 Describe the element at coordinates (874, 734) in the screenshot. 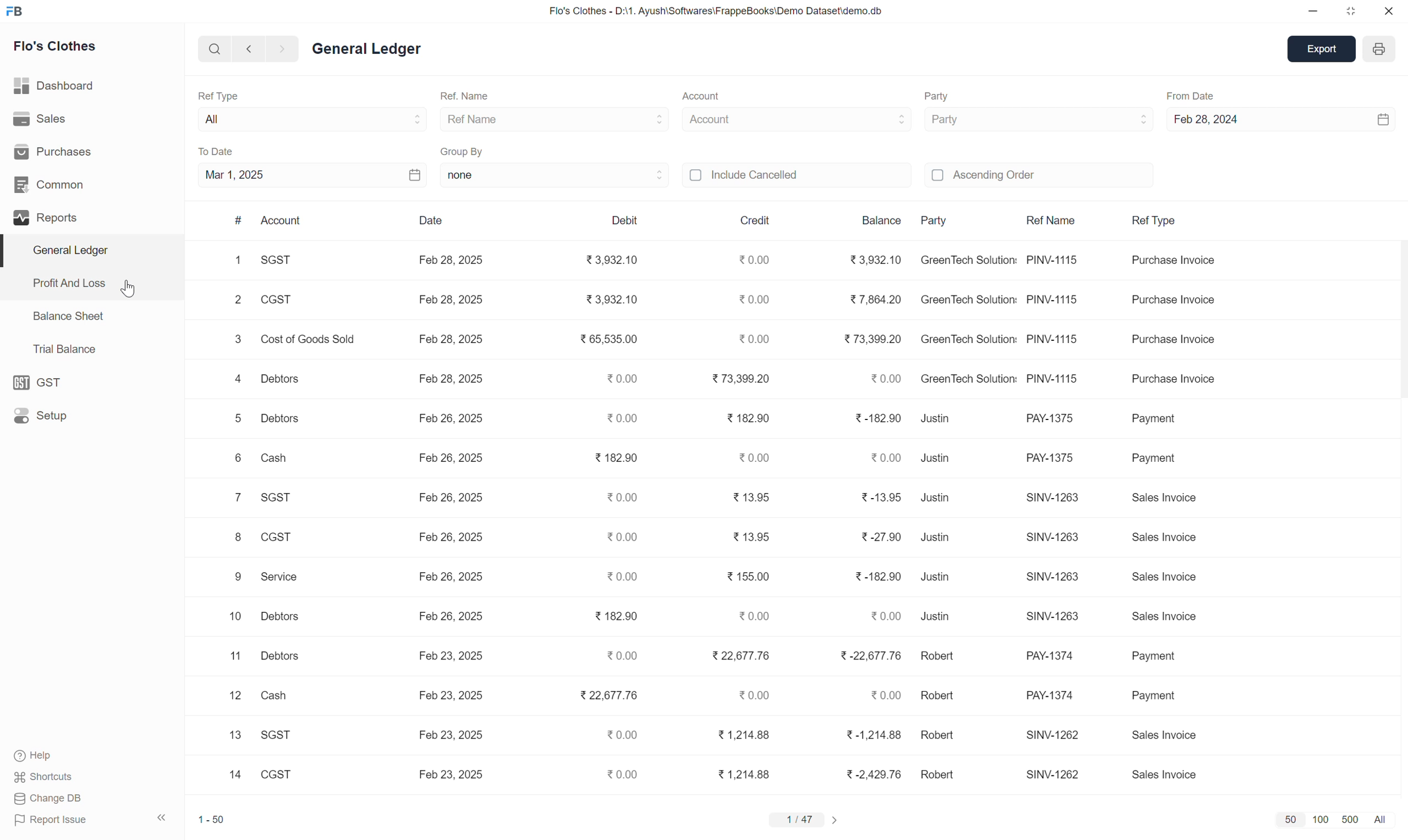

I see `₹-1,214.88` at that location.